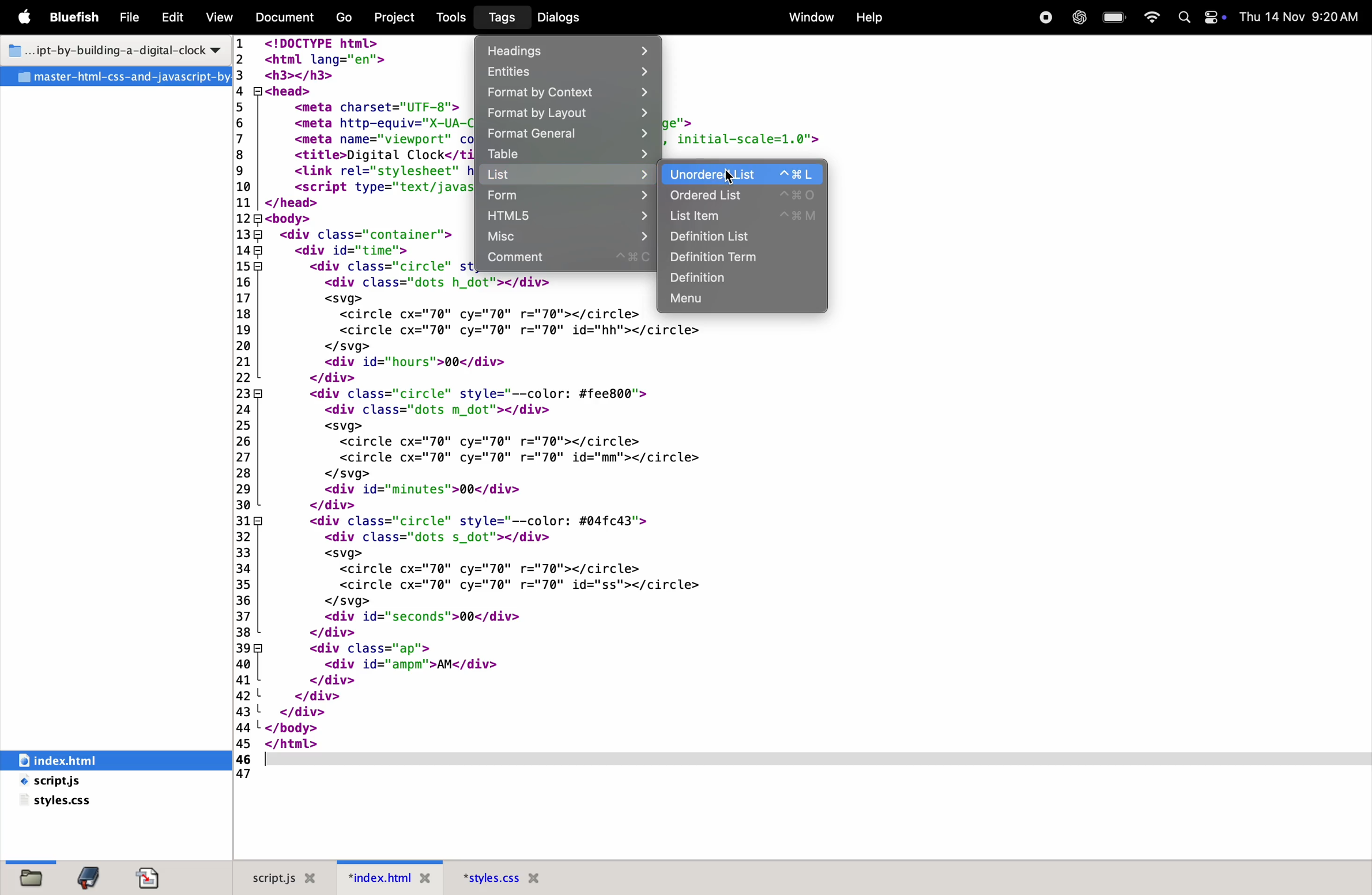 Image resolution: width=1372 pixels, height=895 pixels. I want to click on record, so click(1044, 17).